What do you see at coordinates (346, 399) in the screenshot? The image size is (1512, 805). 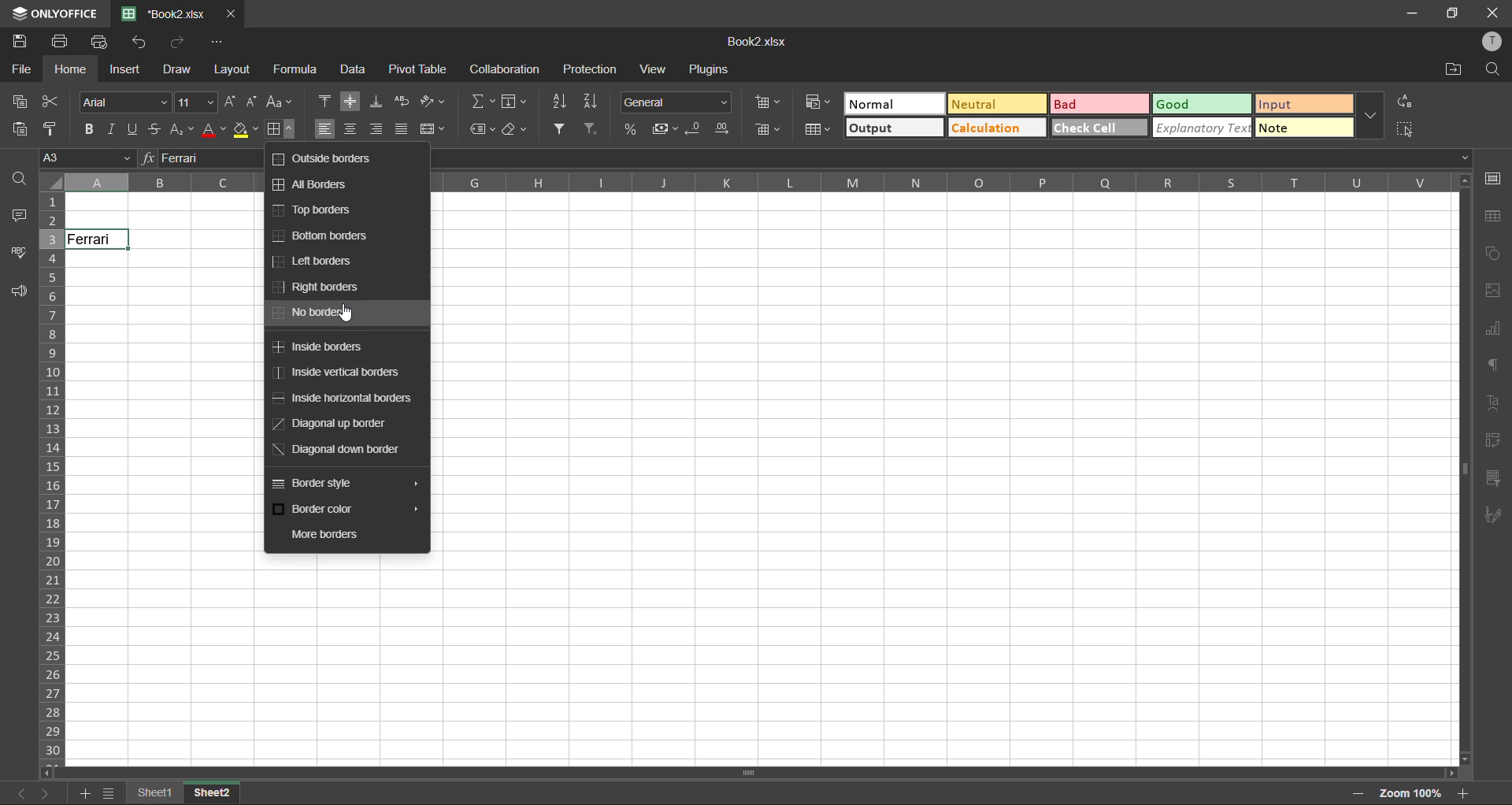 I see `inside horizontal borders` at bounding box center [346, 399].